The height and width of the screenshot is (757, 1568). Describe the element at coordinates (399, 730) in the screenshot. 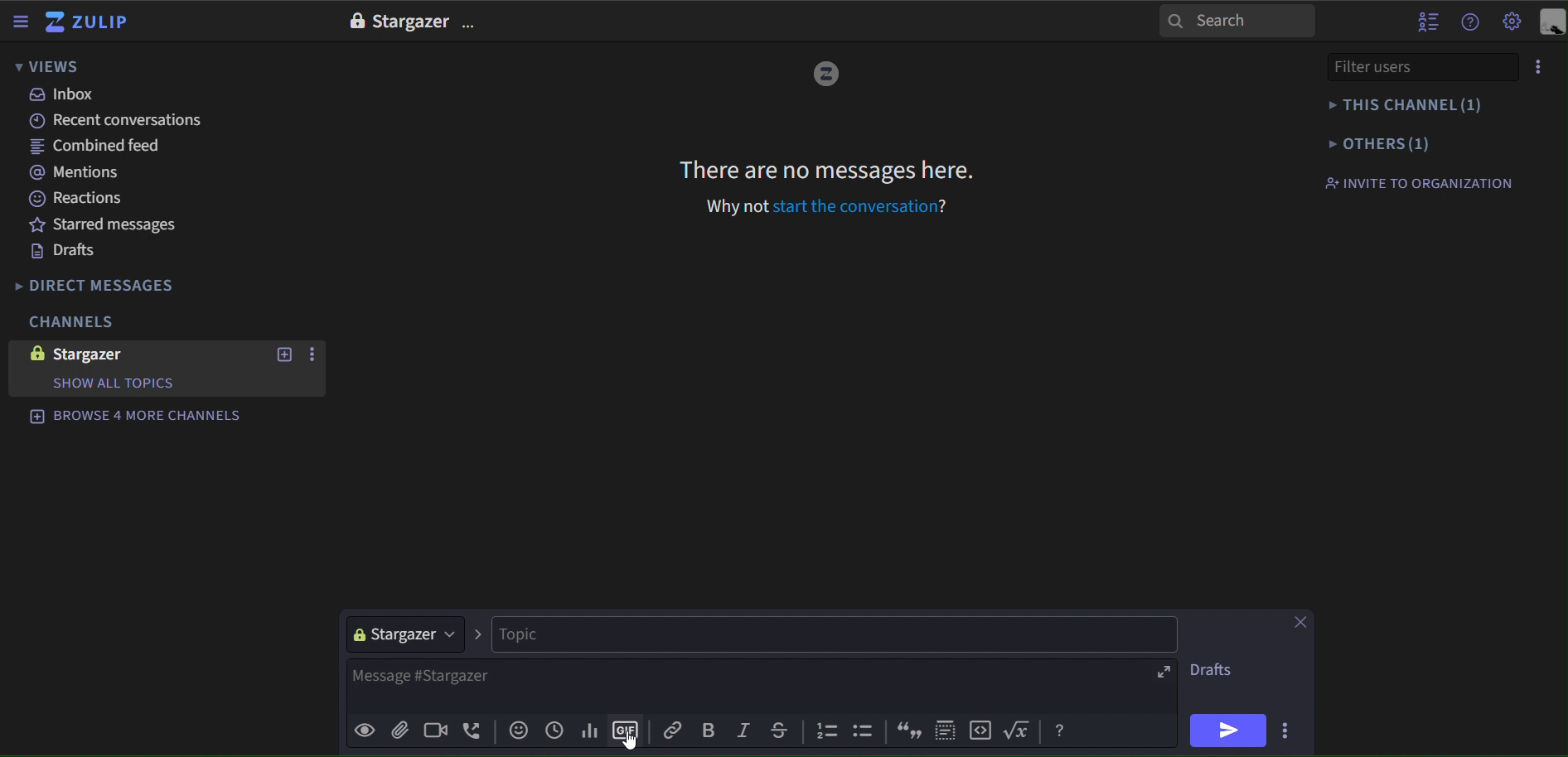

I see `upload files` at that location.